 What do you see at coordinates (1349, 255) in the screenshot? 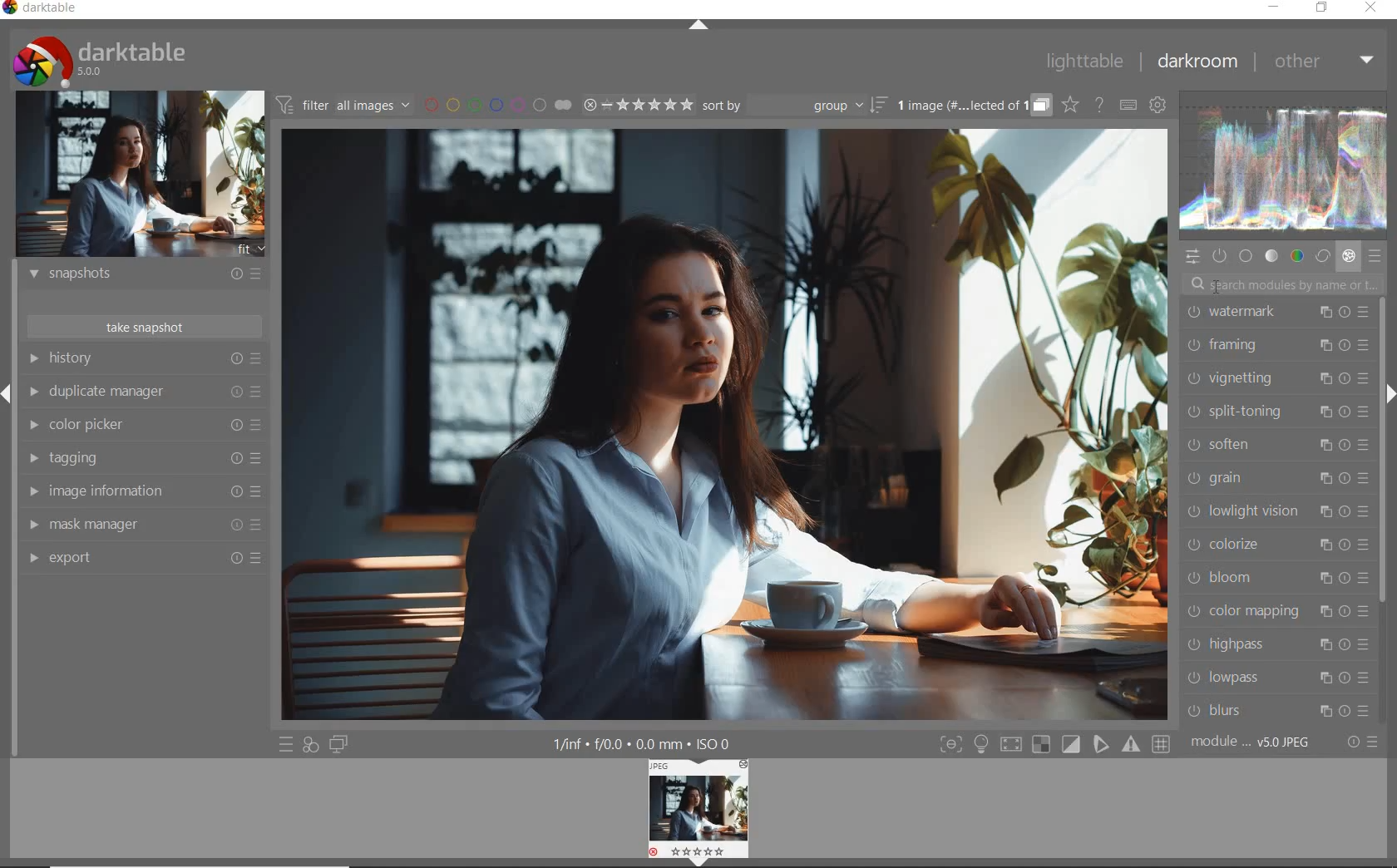
I see `effect` at bounding box center [1349, 255].